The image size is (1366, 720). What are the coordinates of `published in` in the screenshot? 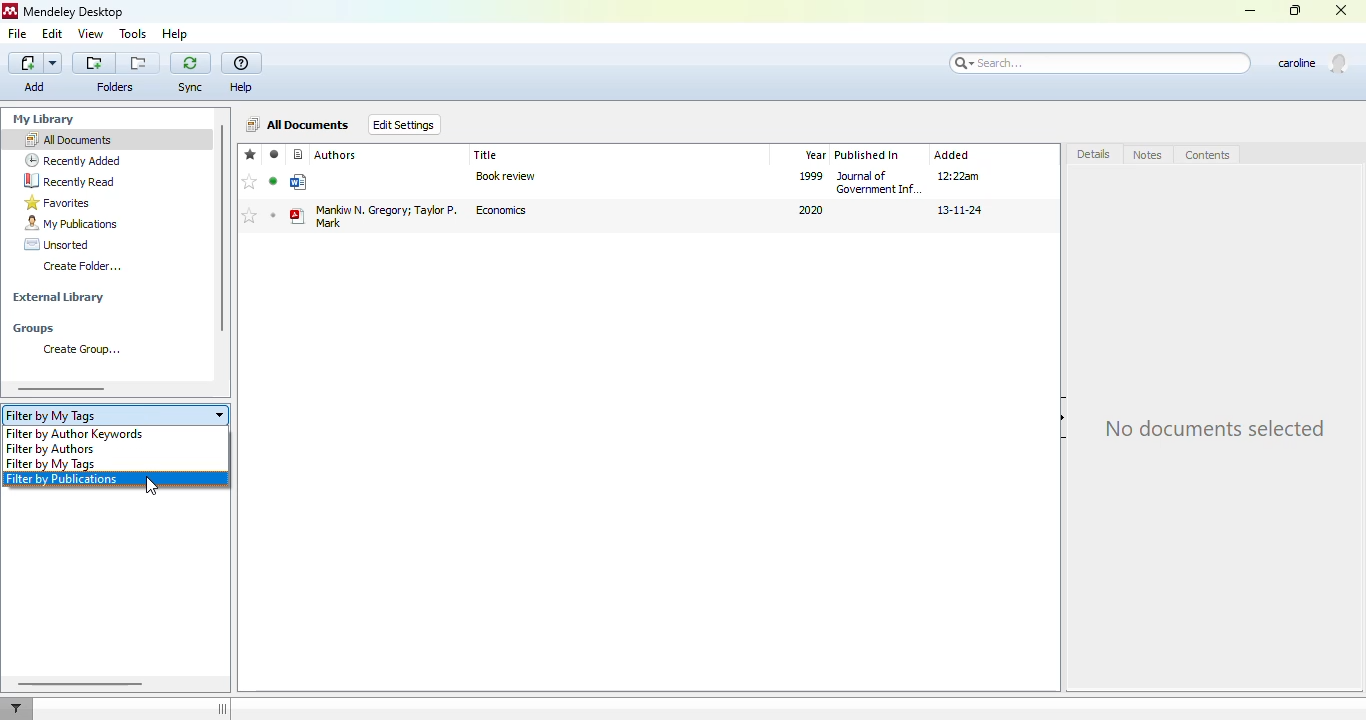 It's located at (867, 155).